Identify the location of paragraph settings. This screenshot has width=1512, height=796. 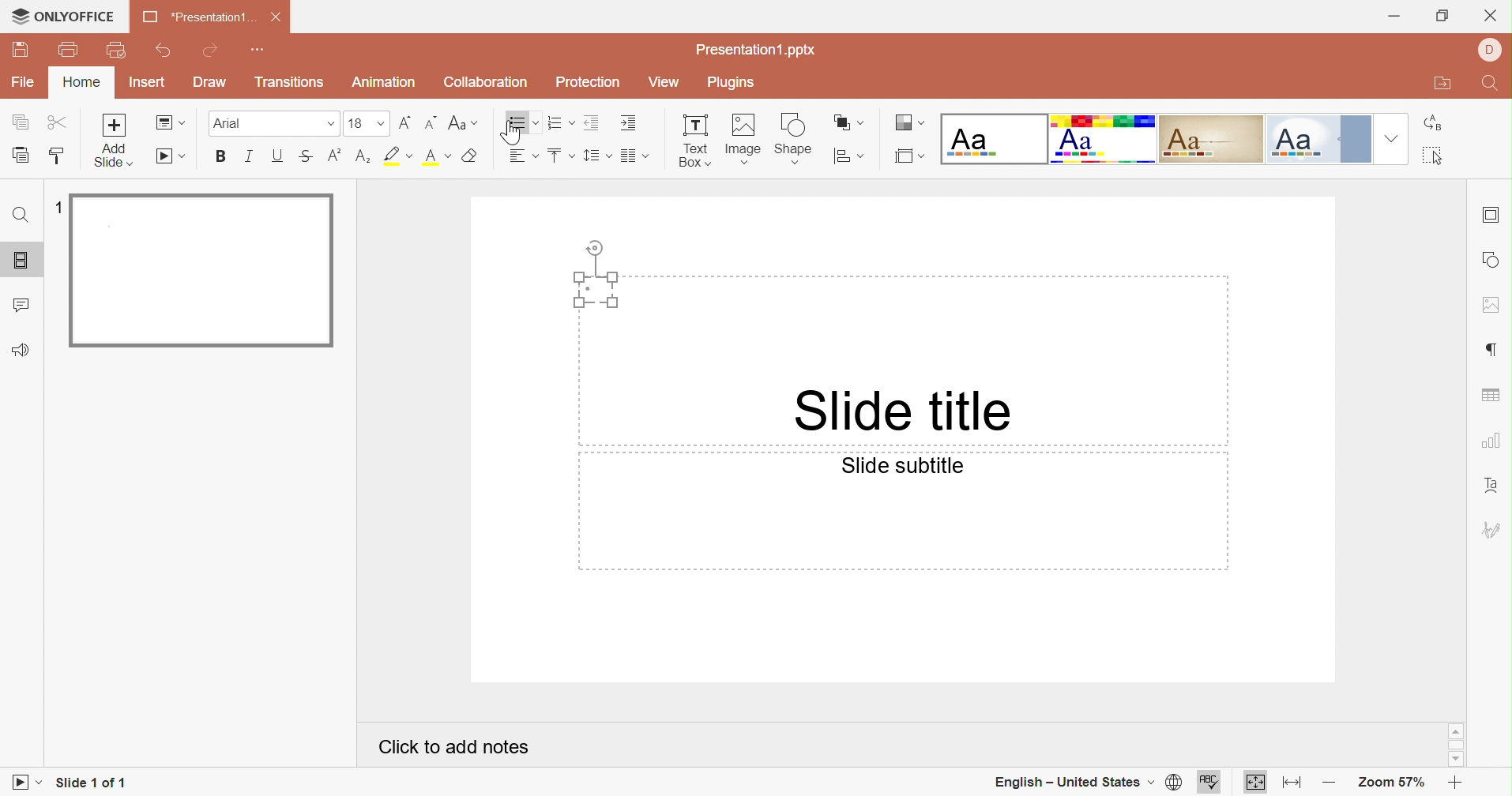
(1495, 346).